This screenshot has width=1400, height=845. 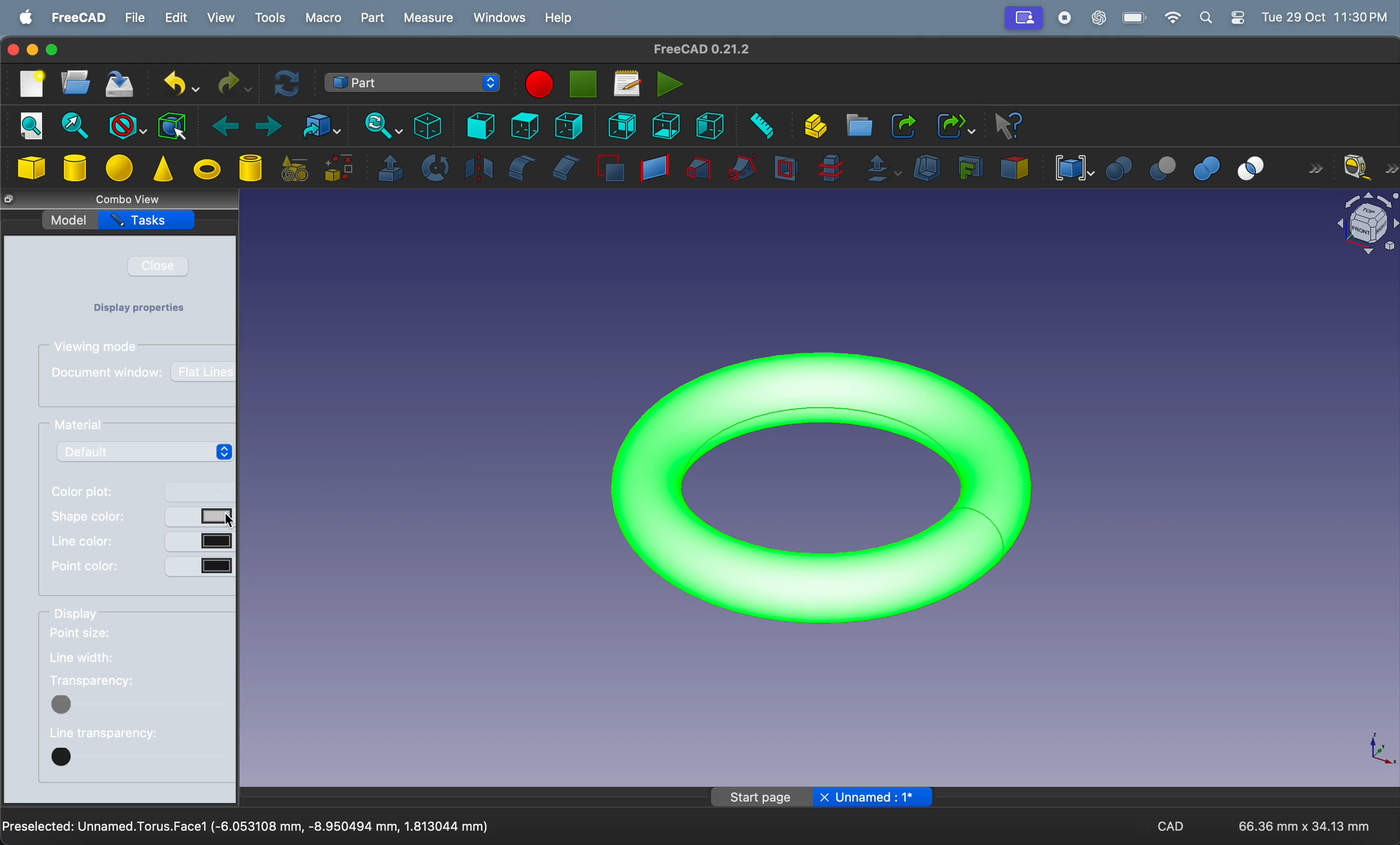 I want to click on backward, so click(x=219, y=124).